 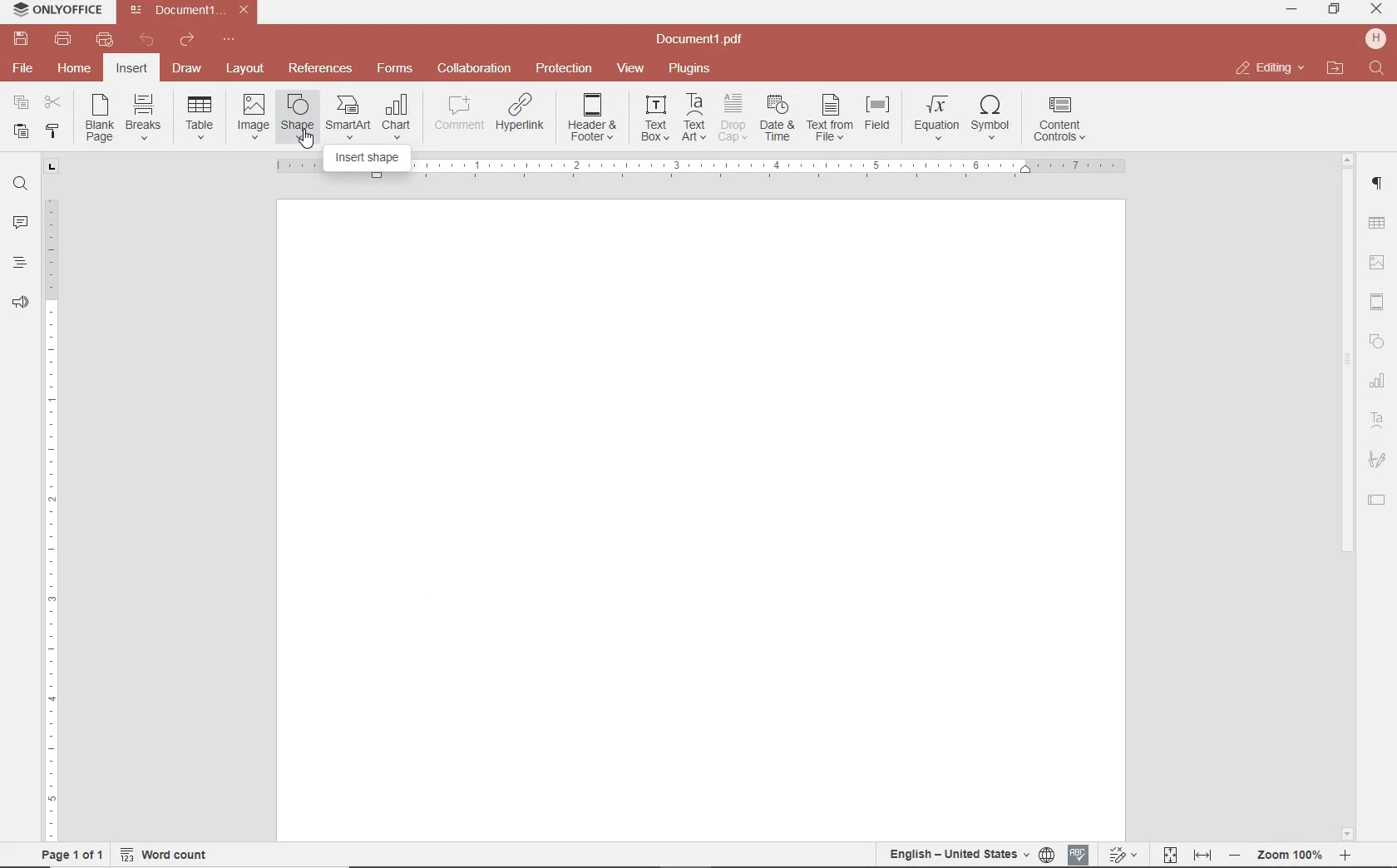 What do you see at coordinates (768, 165) in the screenshot?
I see `` at bounding box center [768, 165].